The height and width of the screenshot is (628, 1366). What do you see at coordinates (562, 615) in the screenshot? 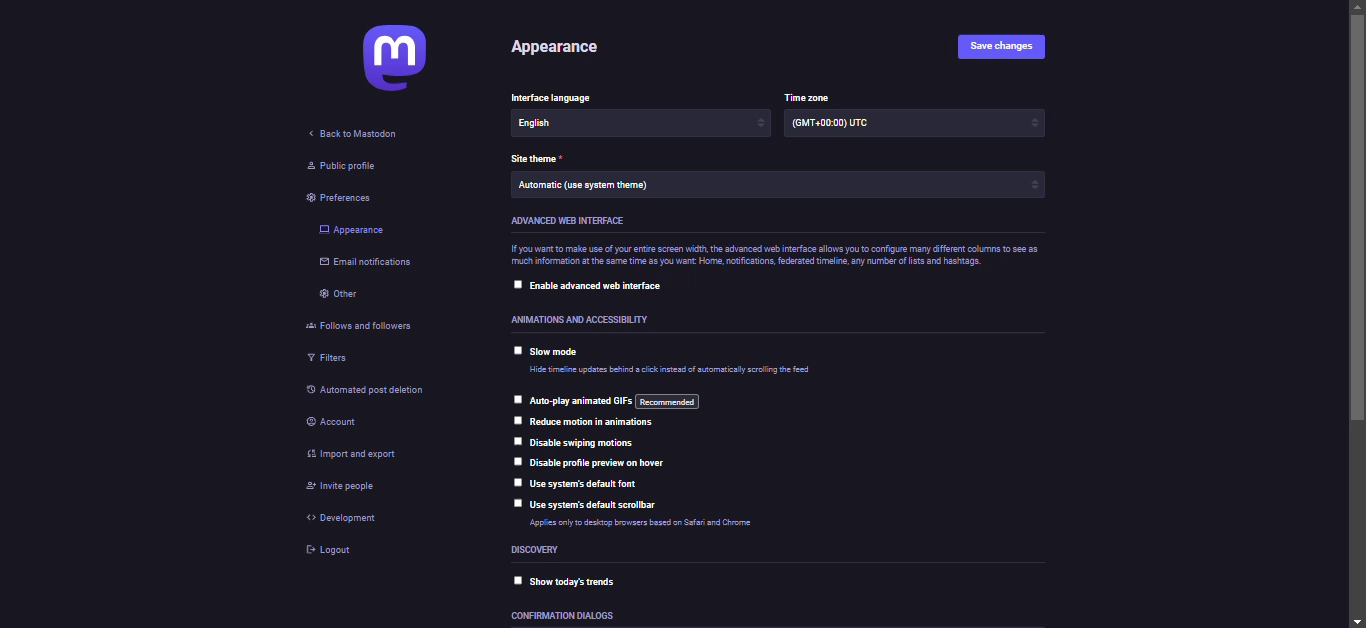
I see `dialog` at bounding box center [562, 615].